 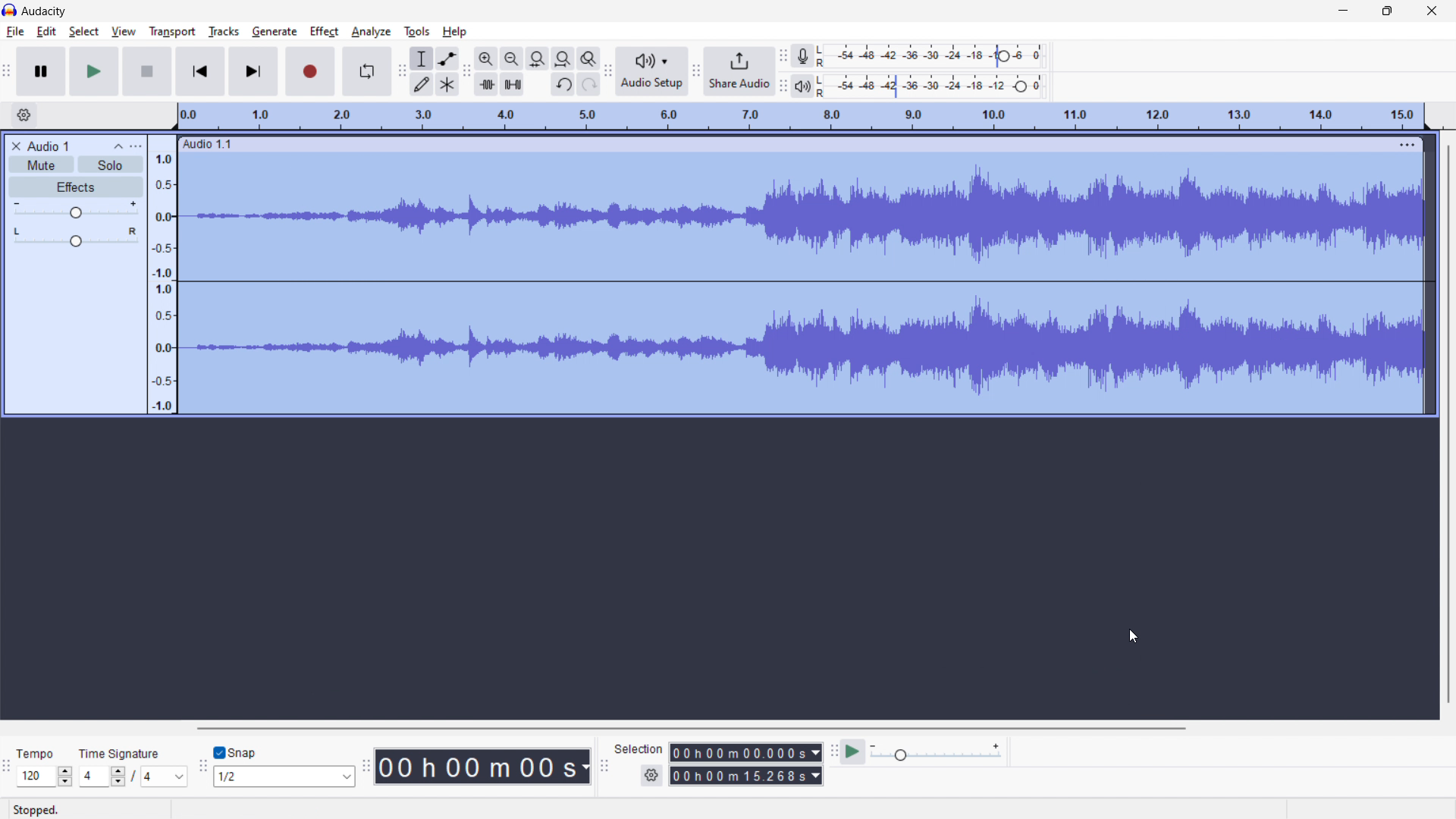 I want to click on skip to last, so click(x=254, y=72).